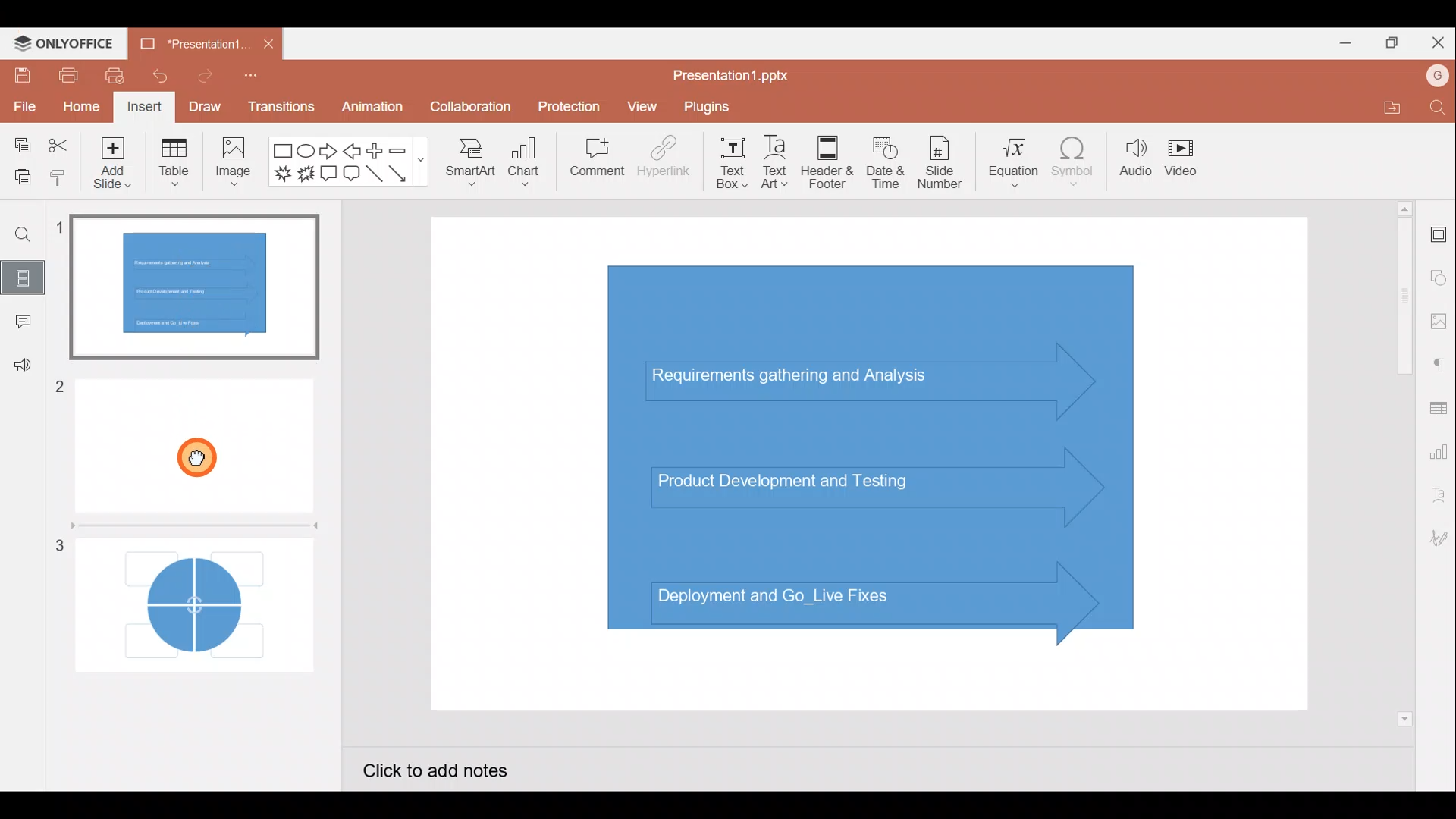  Describe the element at coordinates (351, 152) in the screenshot. I see `Left arrow` at that location.